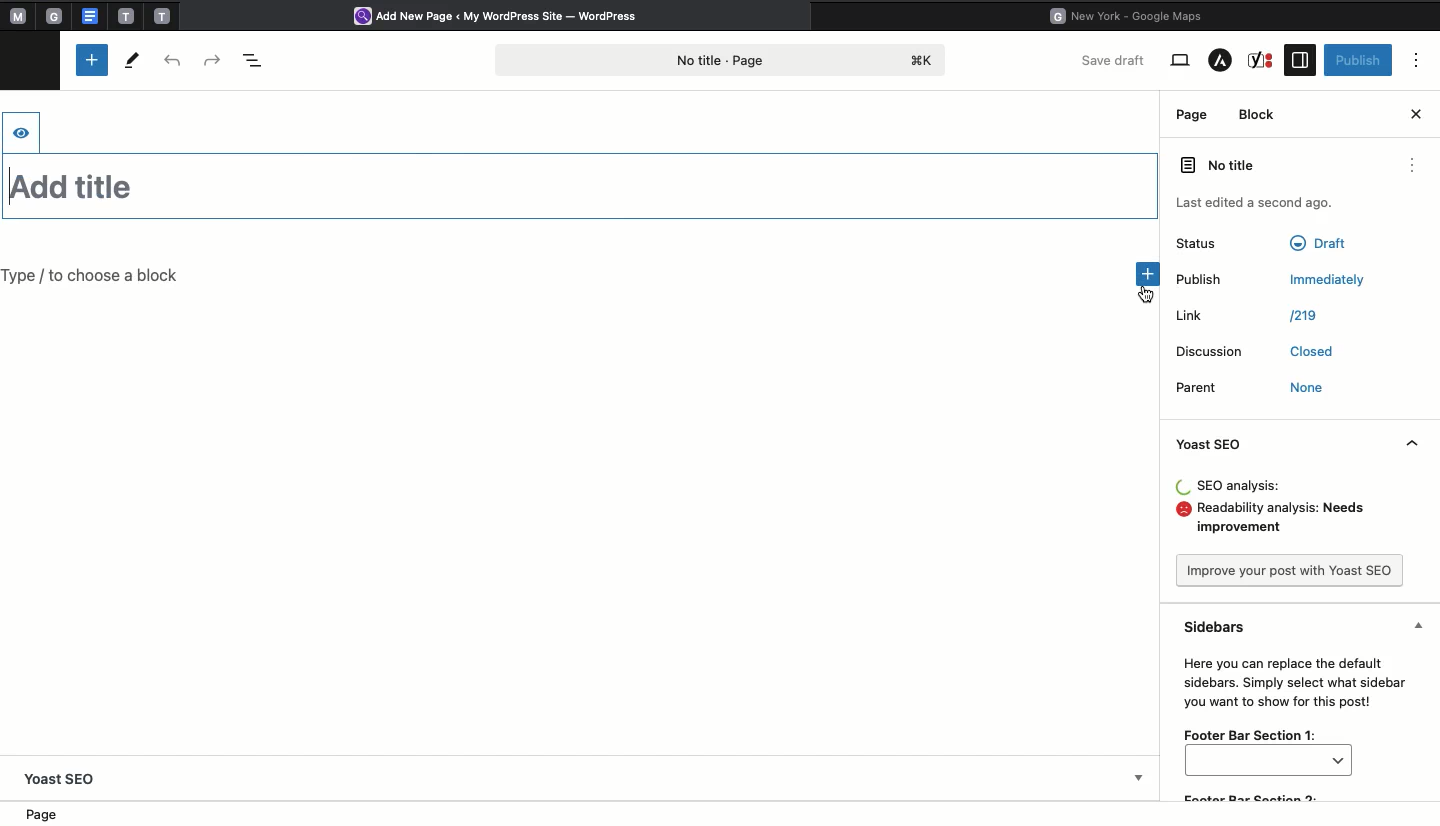 Image resolution: width=1440 pixels, height=826 pixels. Describe the element at coordinates (175, 60) in the screenshot. I see `Undo` at that location.